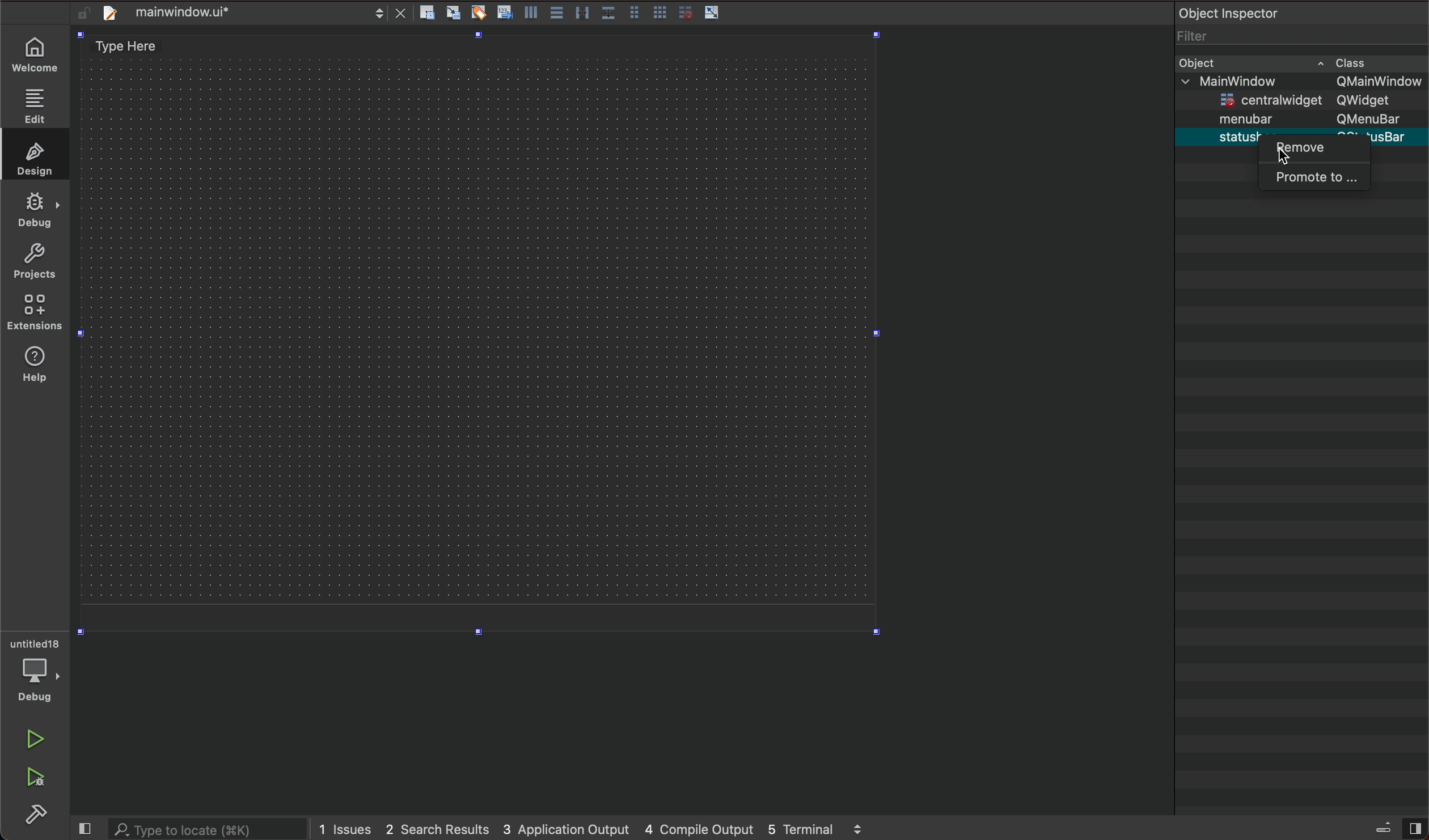 Image resolution: width=1429 pixels, height=840 pixels. I want to click on 2 search results, so click(437, 827).